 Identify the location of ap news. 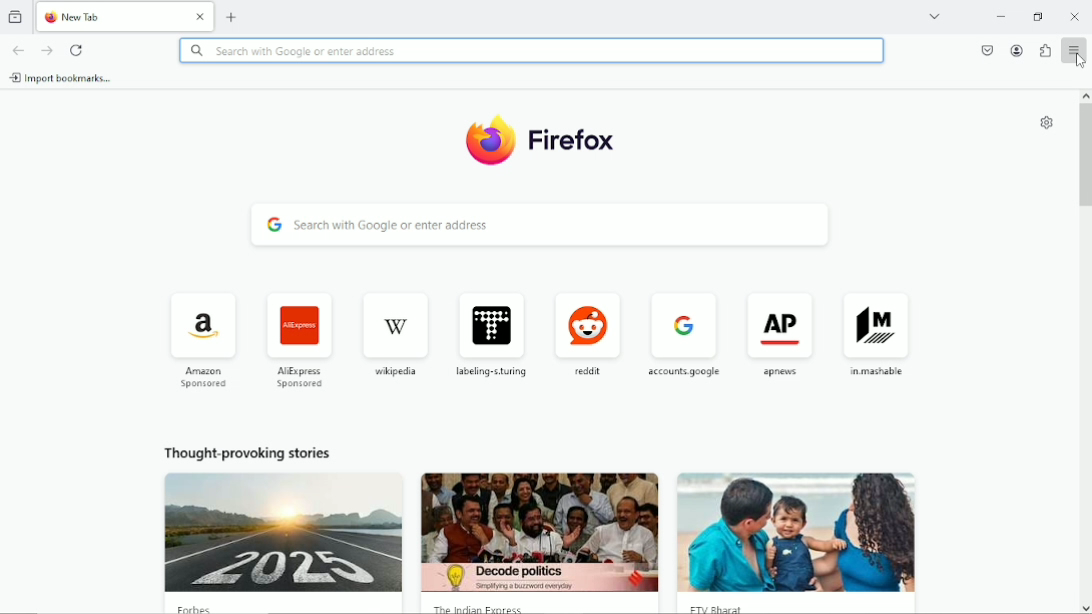
(780, 333).